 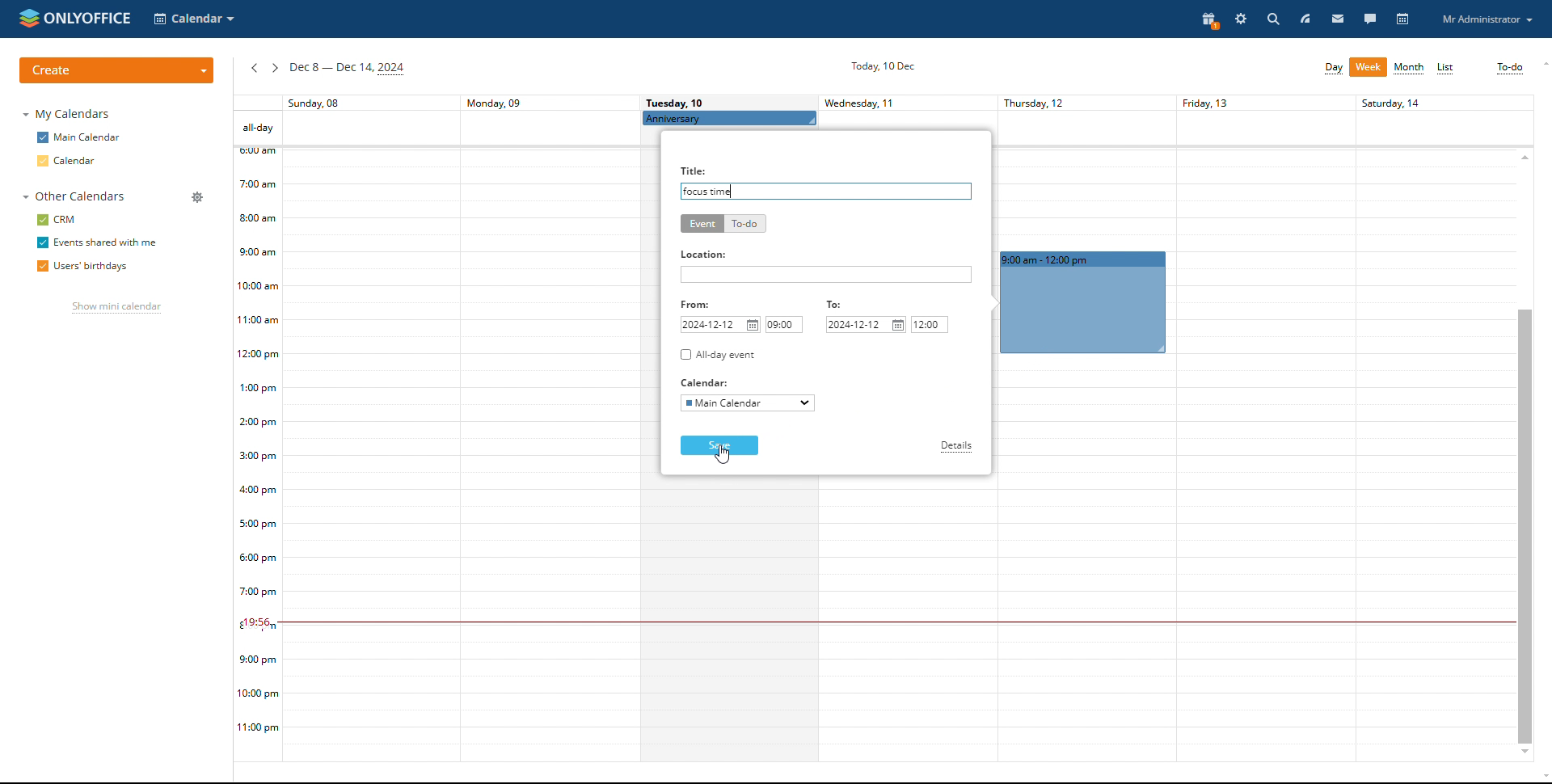 What do you see at coordinates (41, 161) in the screenshot?
I see `checkbox` at bounding box center [41, 161].